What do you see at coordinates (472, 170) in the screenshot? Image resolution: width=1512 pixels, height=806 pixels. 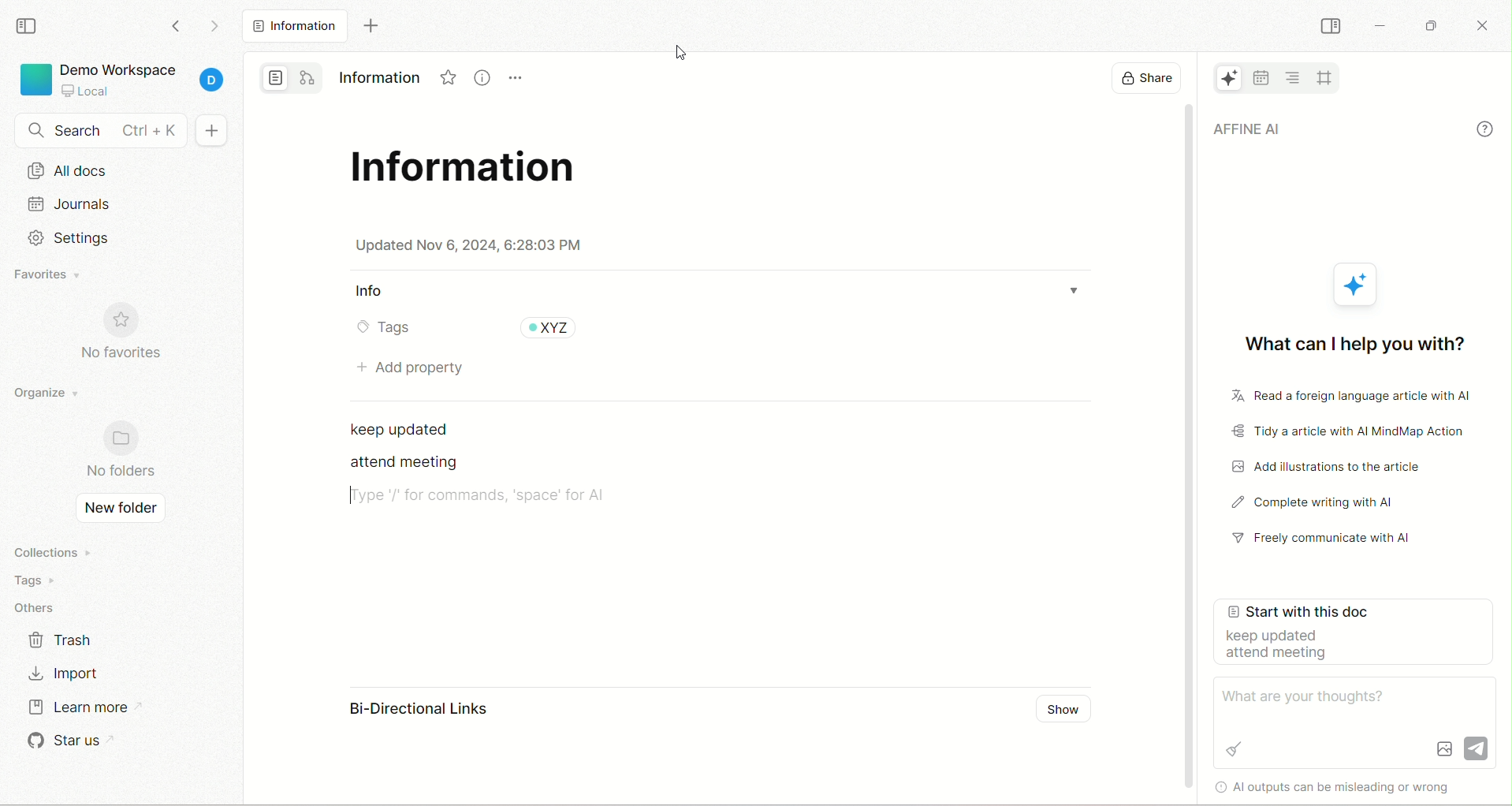 I see `title` at bounding box center [472, 170].